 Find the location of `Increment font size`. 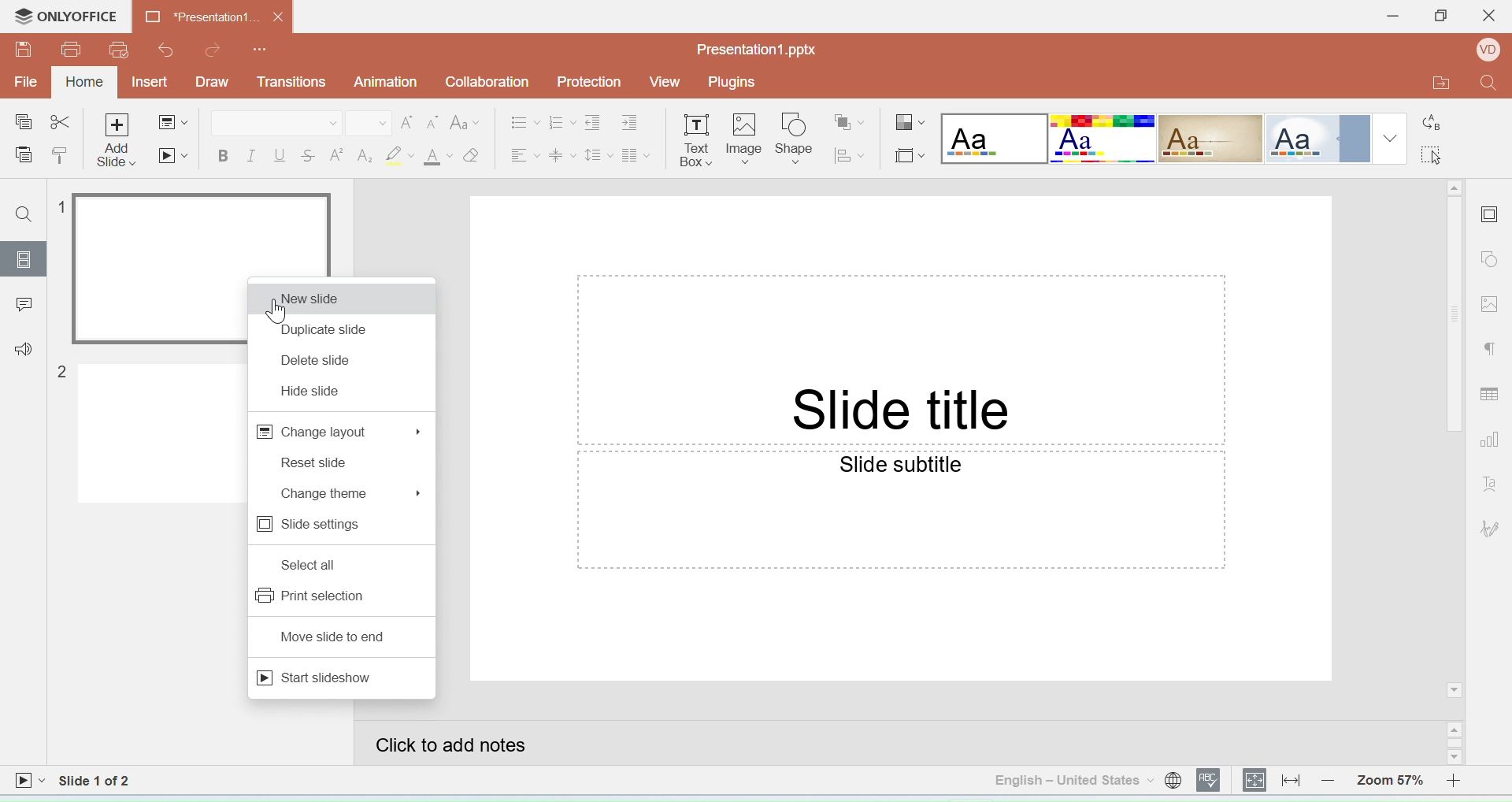

Increment font size is located at coordinates (406, 123).